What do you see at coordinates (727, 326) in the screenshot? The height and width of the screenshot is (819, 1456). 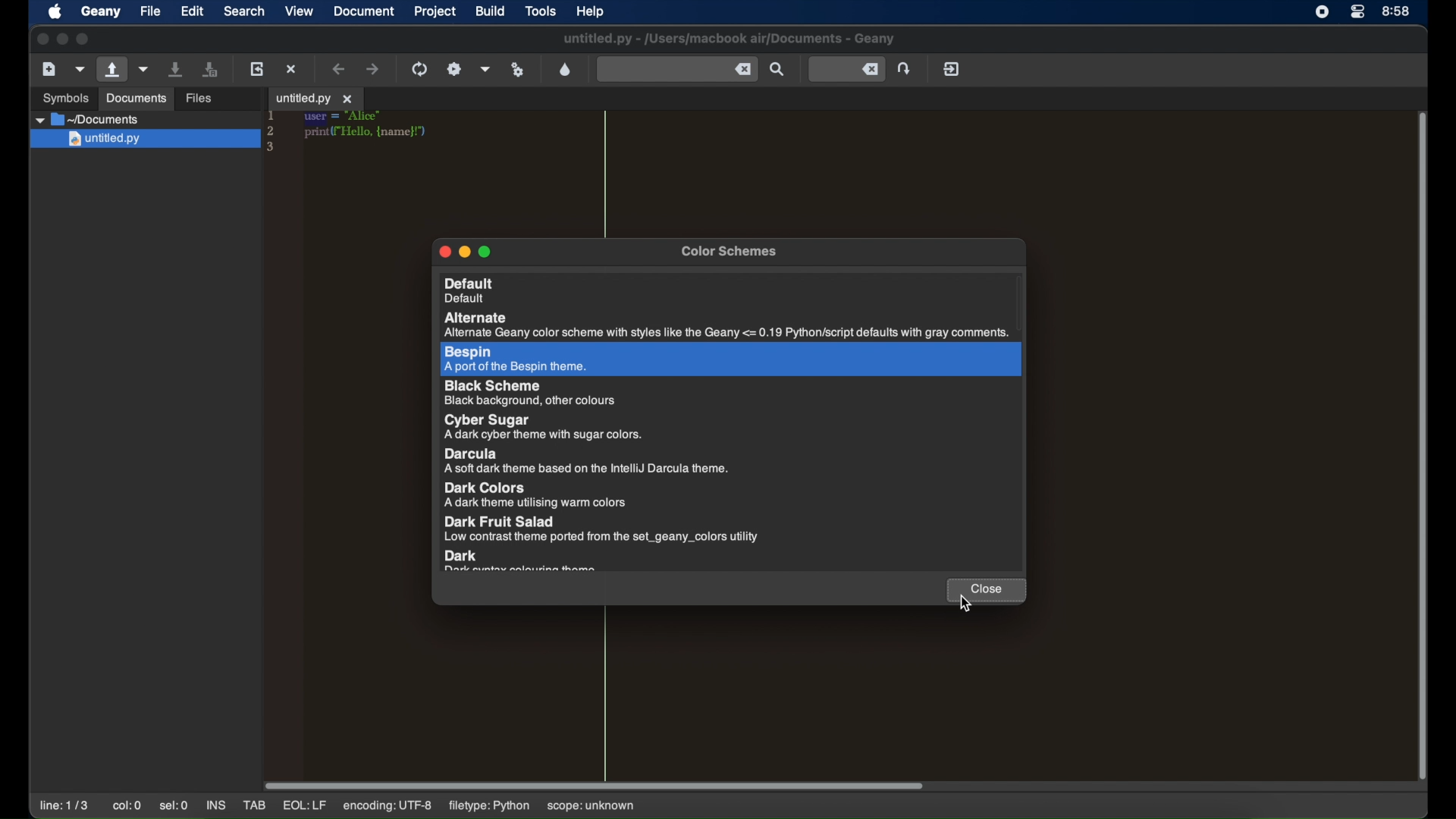 I see `alternate` at bounding box center [727, 326].